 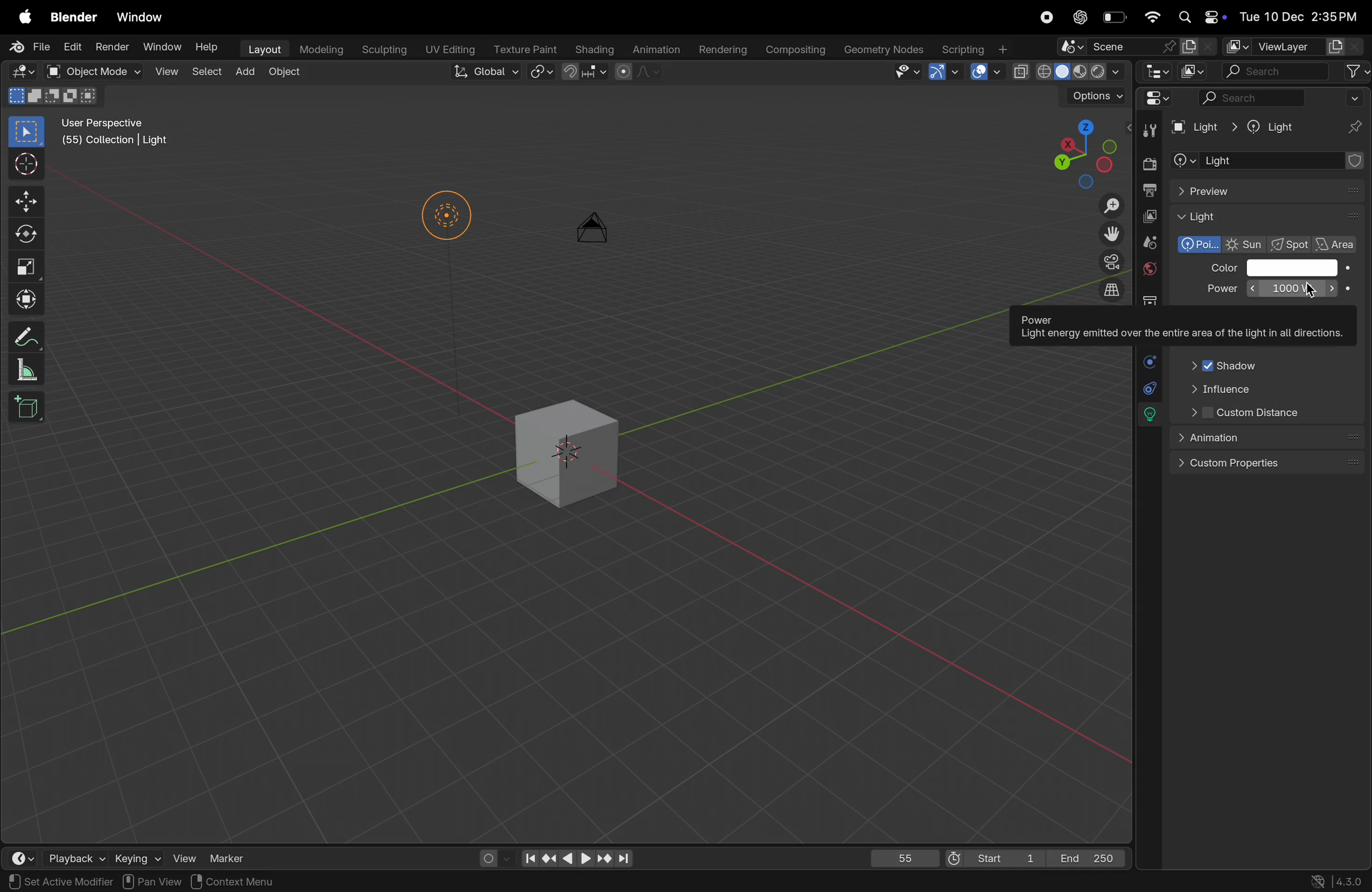 I want to click on snap, so click(x=541, y=73).